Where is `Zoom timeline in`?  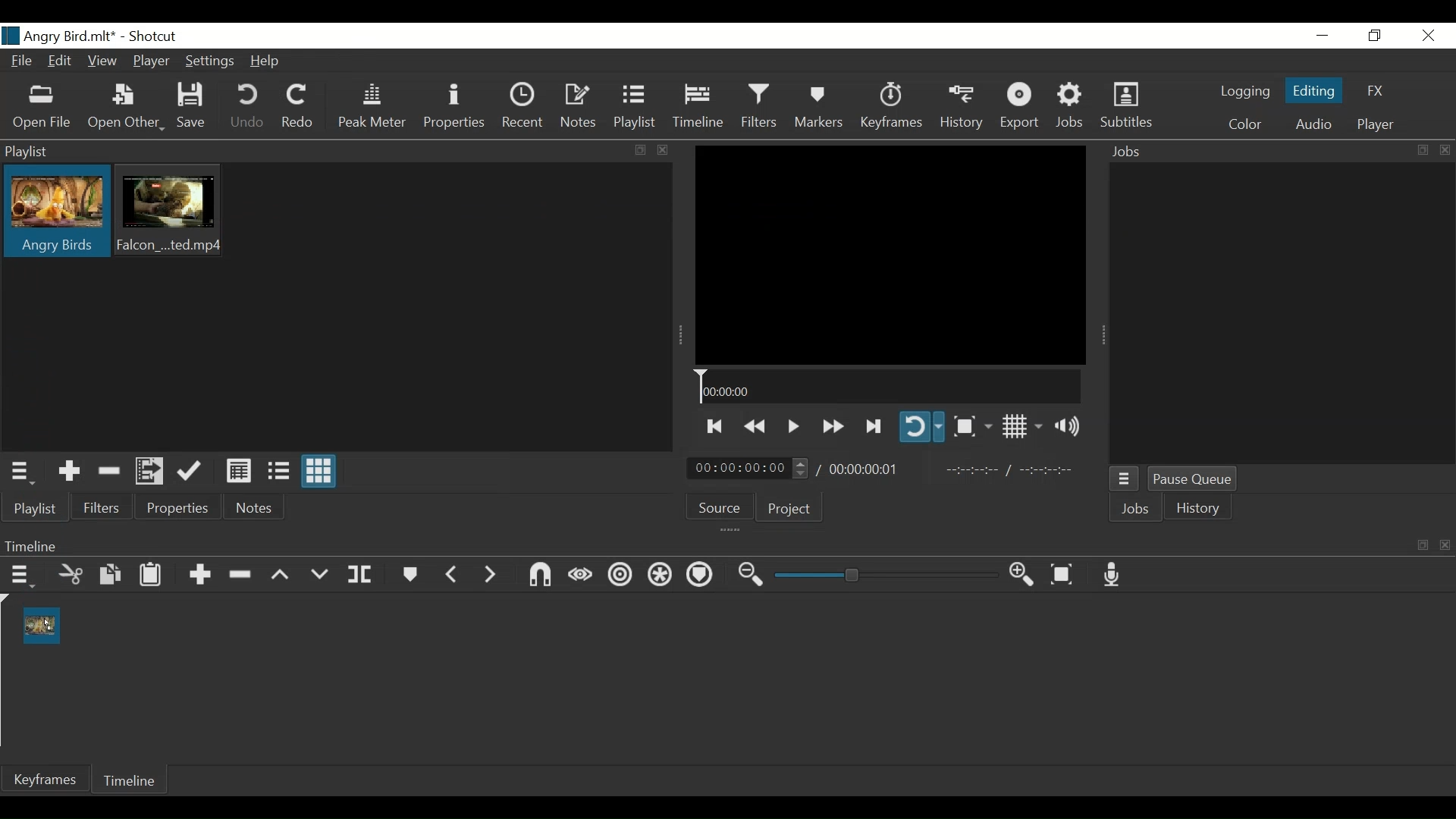 Zoom timeline in is located at coordinates (1021, 576).